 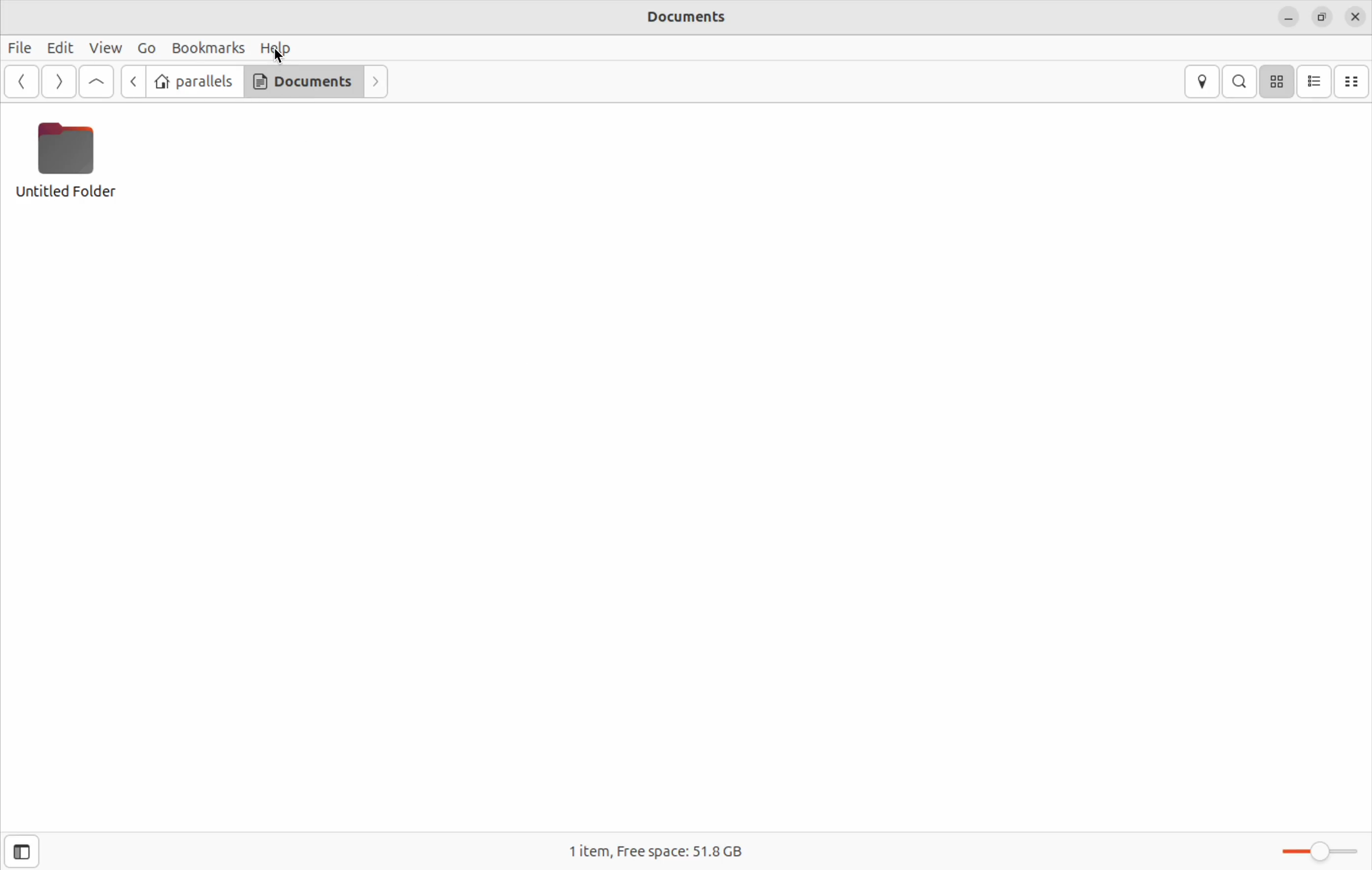 I want to click on go up, so click(x=96, y=83).